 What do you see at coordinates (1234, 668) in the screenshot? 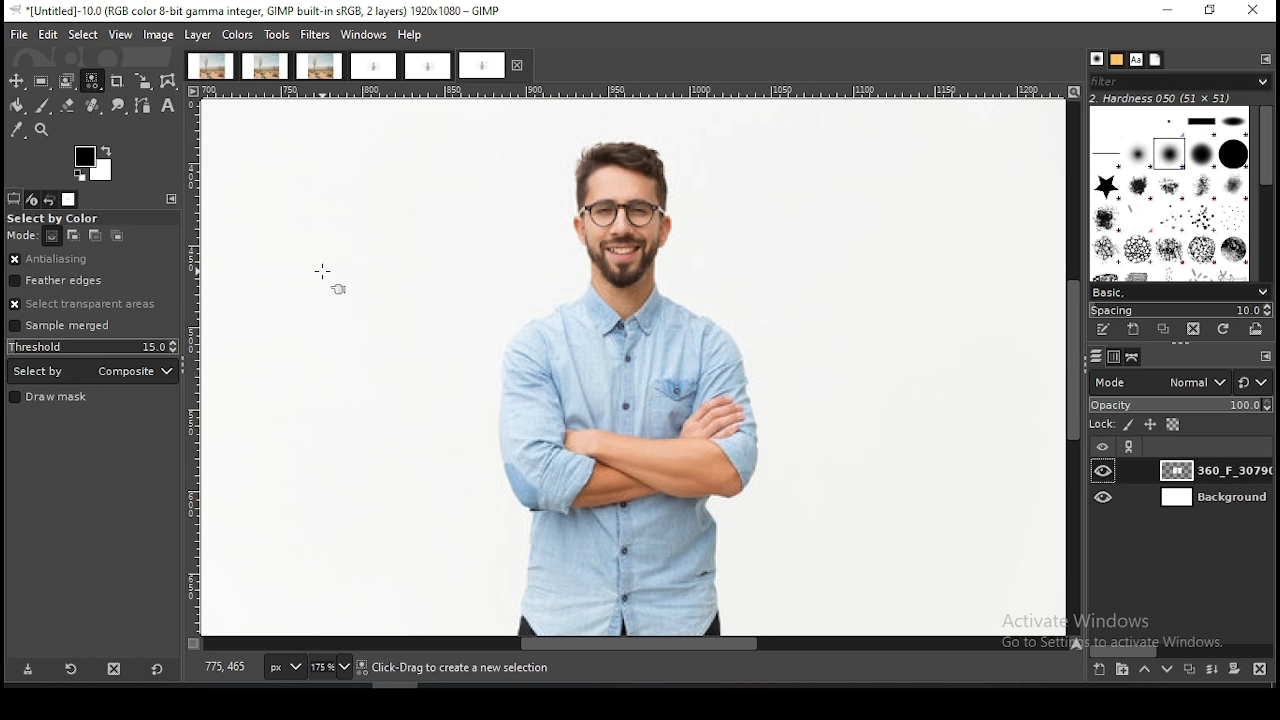
I see `add a mask` at bounding box center [1234, 668].